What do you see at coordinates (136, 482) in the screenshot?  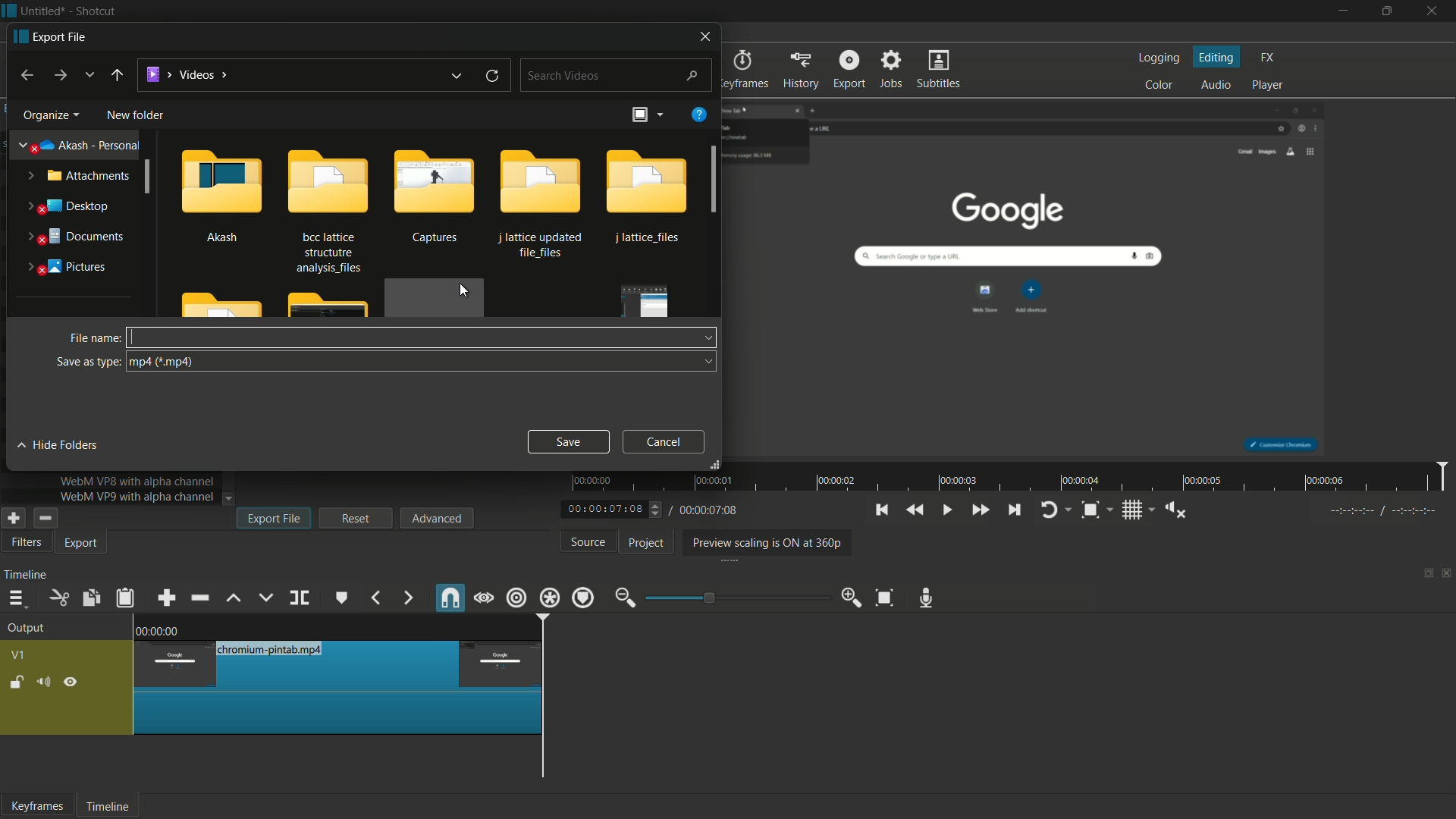 I see `webm vp8 with alpha channel` at bounding box center [136, 482].